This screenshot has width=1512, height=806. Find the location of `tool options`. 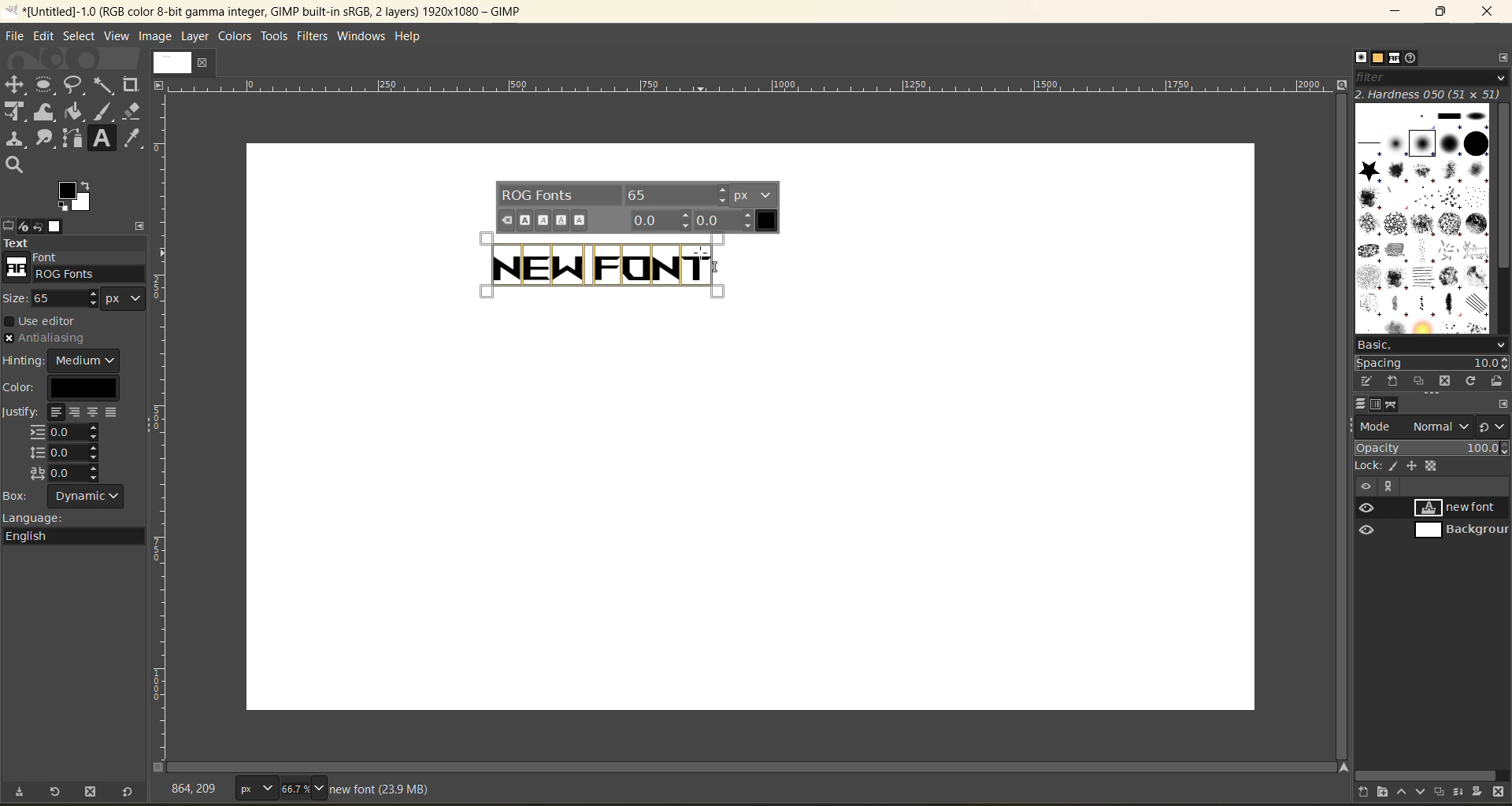

tool options is located at coordinates (9, 226).